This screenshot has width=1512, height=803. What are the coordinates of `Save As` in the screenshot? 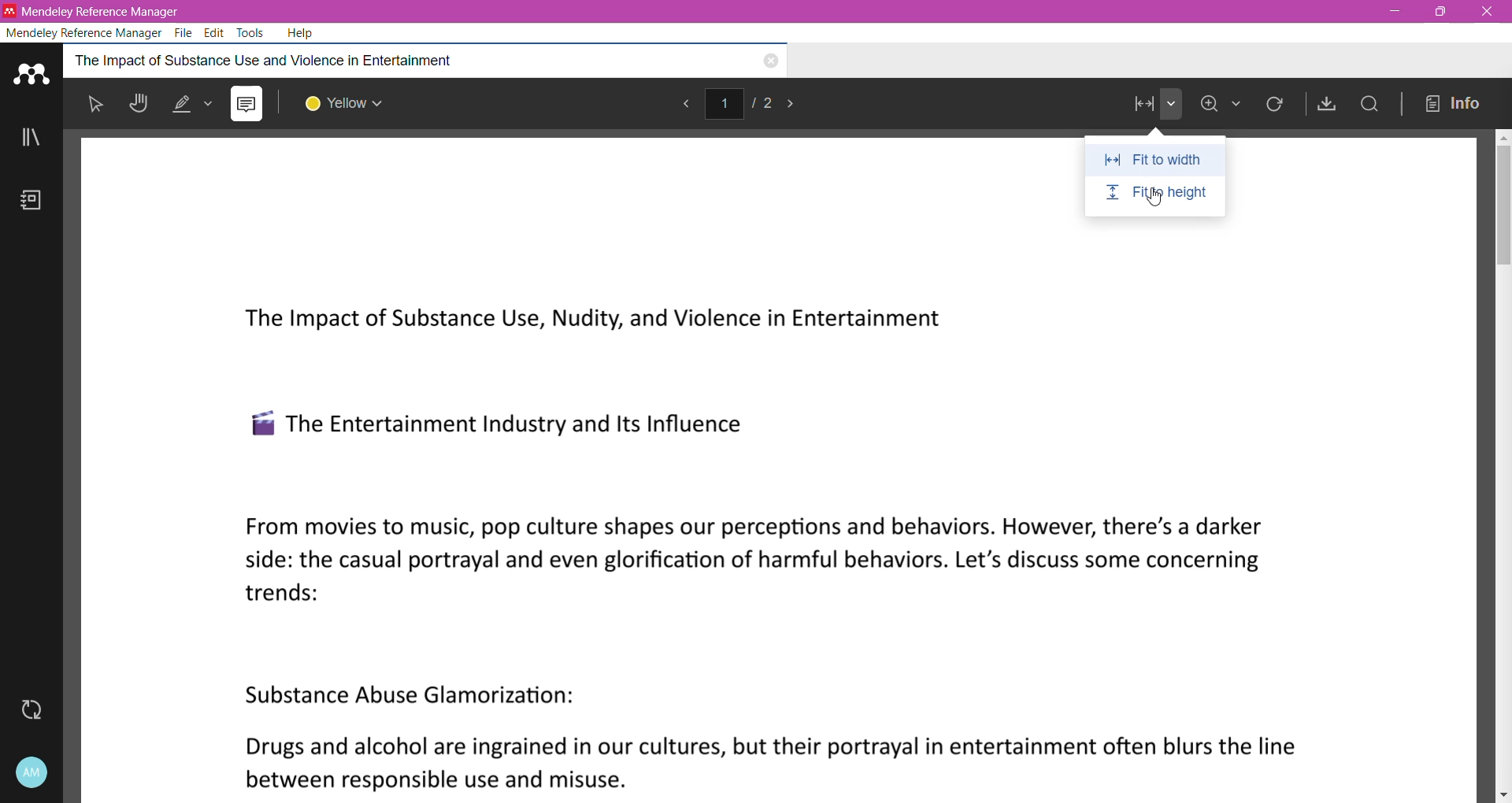 It's located at (1324, 103).